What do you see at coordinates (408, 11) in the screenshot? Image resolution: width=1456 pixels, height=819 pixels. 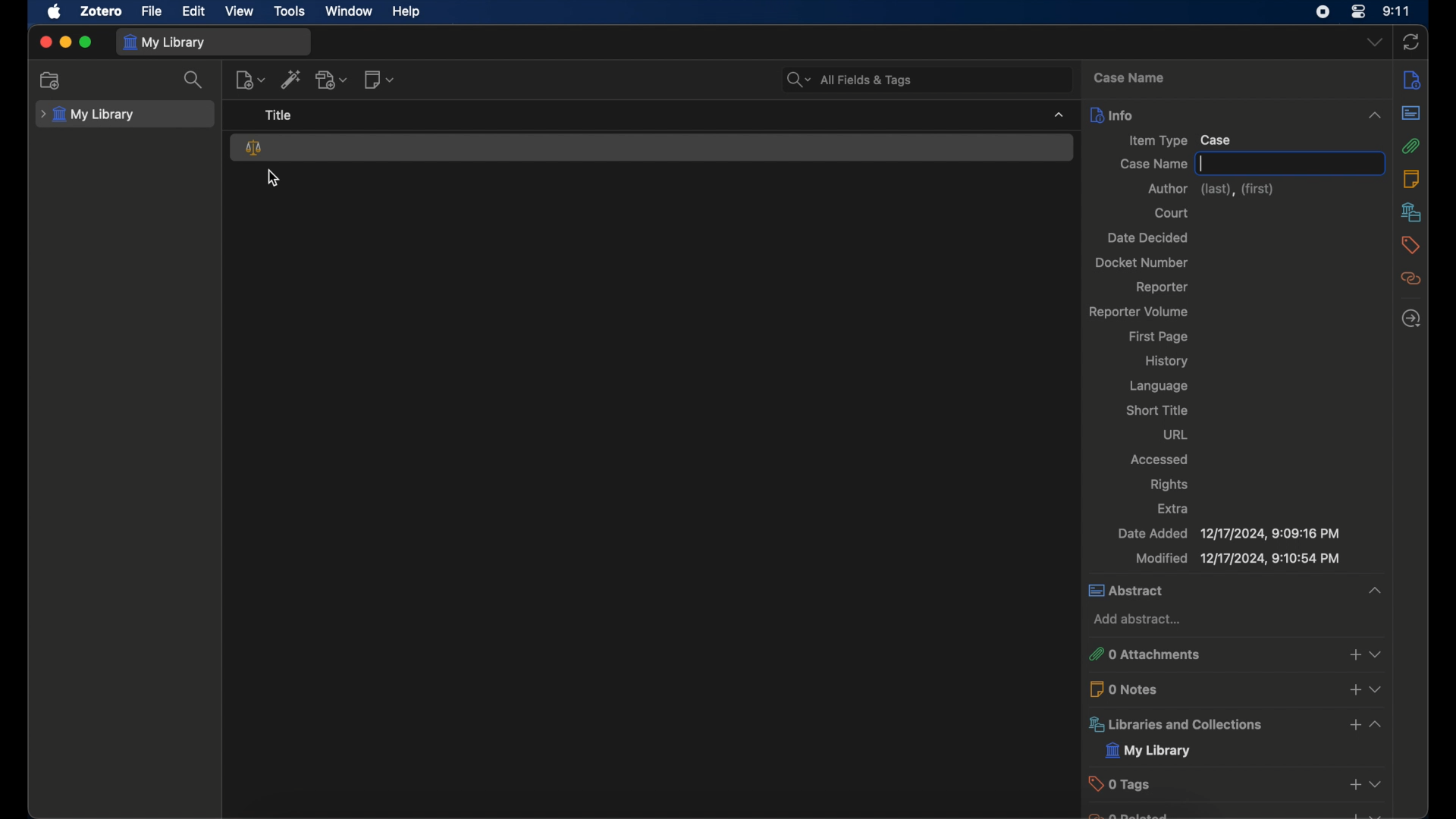 I see `help` at bounding box center [408, 11].